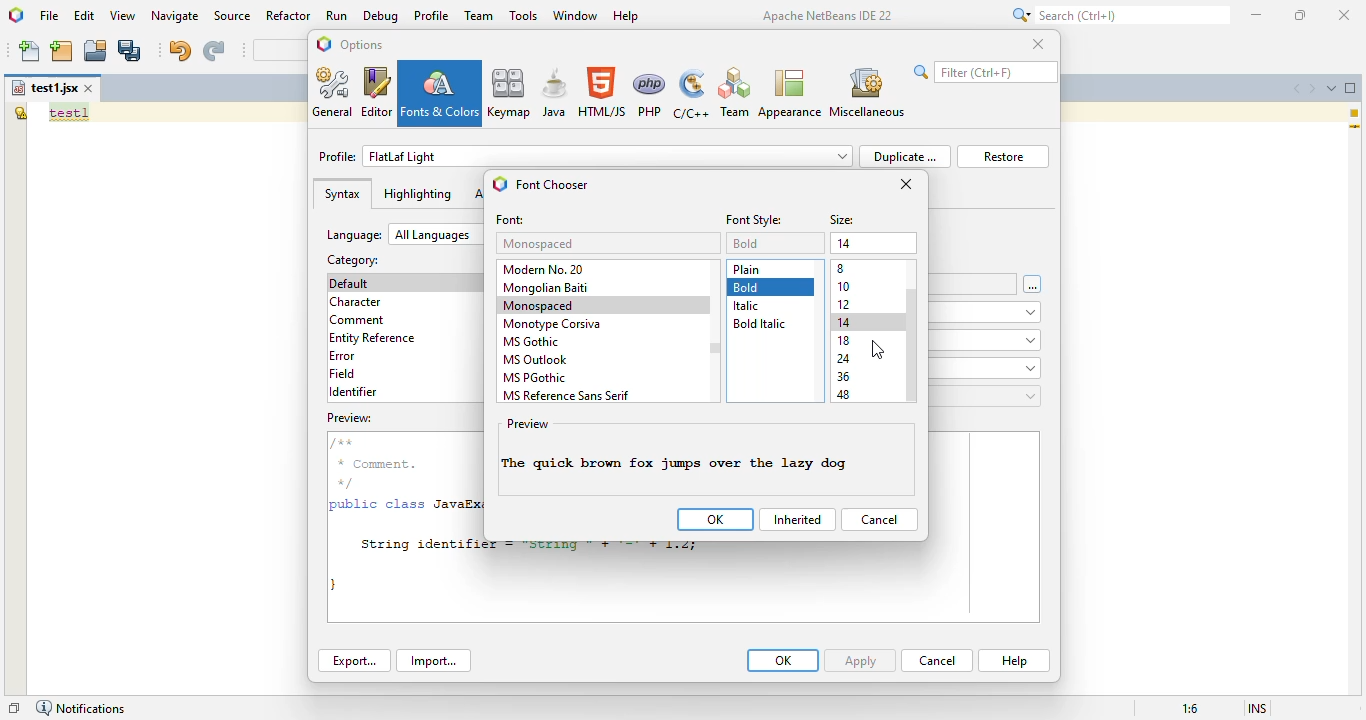 Image resolution: width=1366 pixels, height=720 pixels. What do you see at coordinates (344, 443) in the screenshot?
I see `/**` at bounding box center [344, 443].